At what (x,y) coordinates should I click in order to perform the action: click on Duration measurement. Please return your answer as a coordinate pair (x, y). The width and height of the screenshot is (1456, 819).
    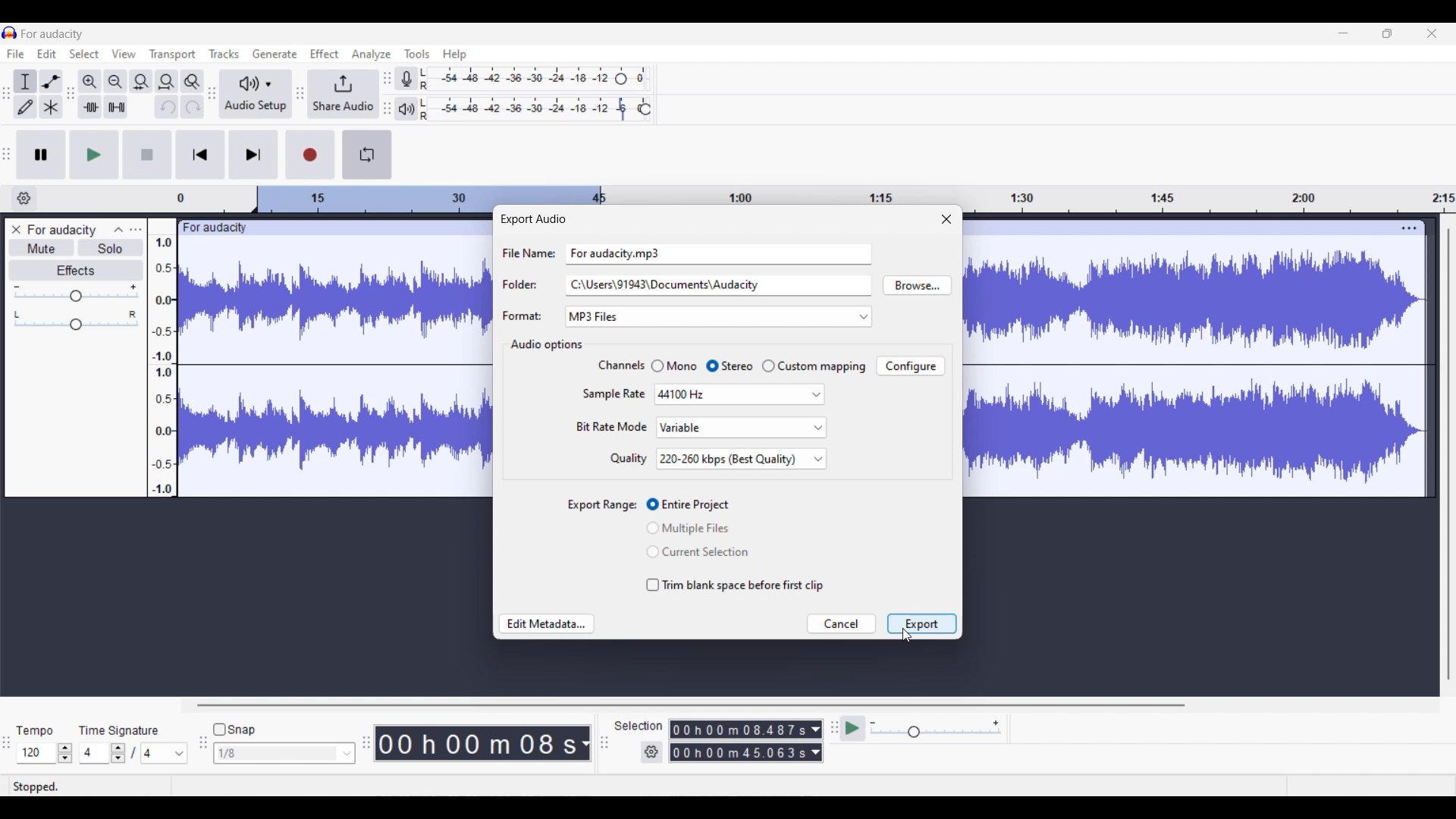
    Looking at the image, I should click on (815, 752).